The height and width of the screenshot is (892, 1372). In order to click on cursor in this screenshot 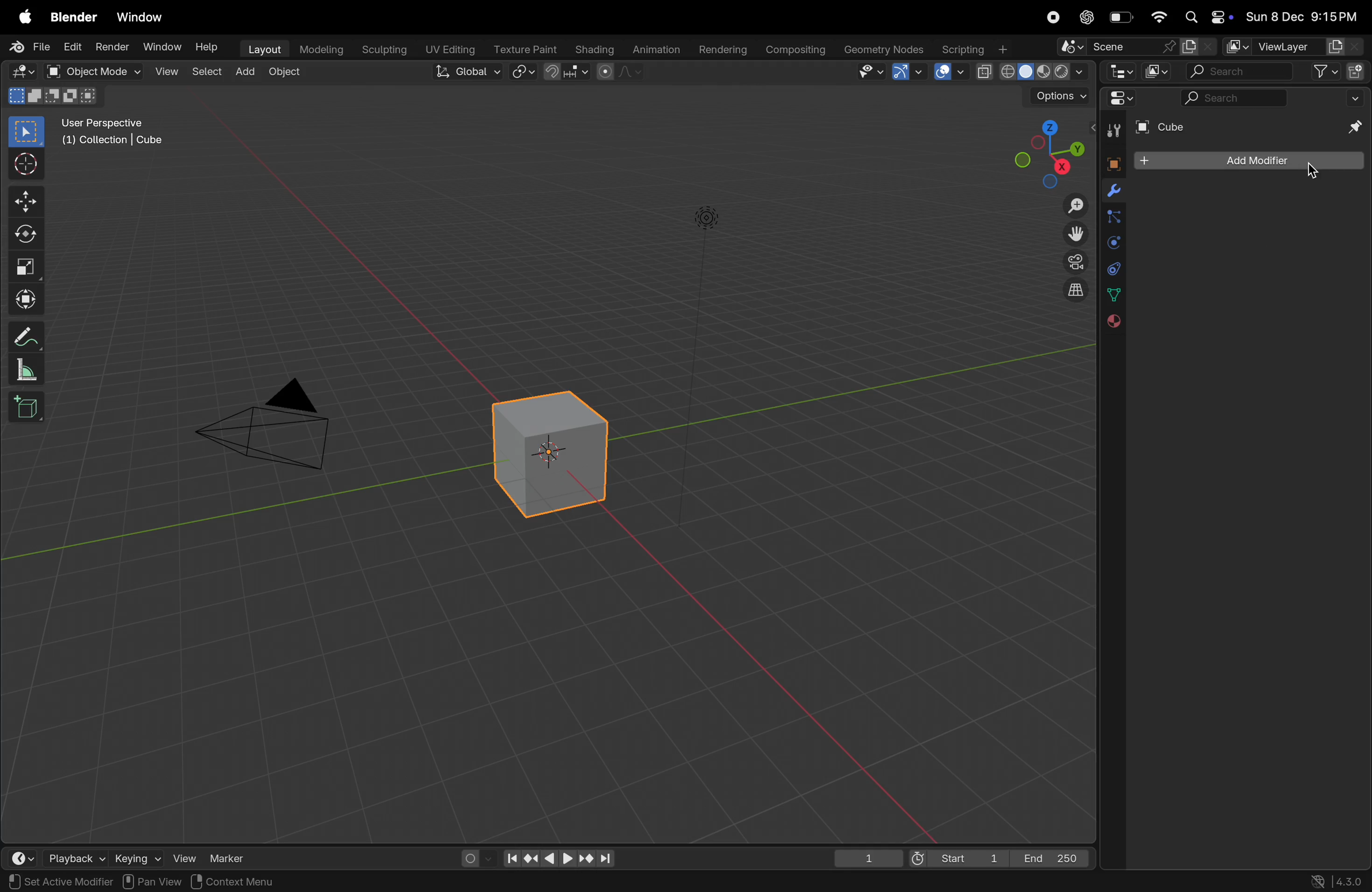, I will do `click(1316, 171)`.